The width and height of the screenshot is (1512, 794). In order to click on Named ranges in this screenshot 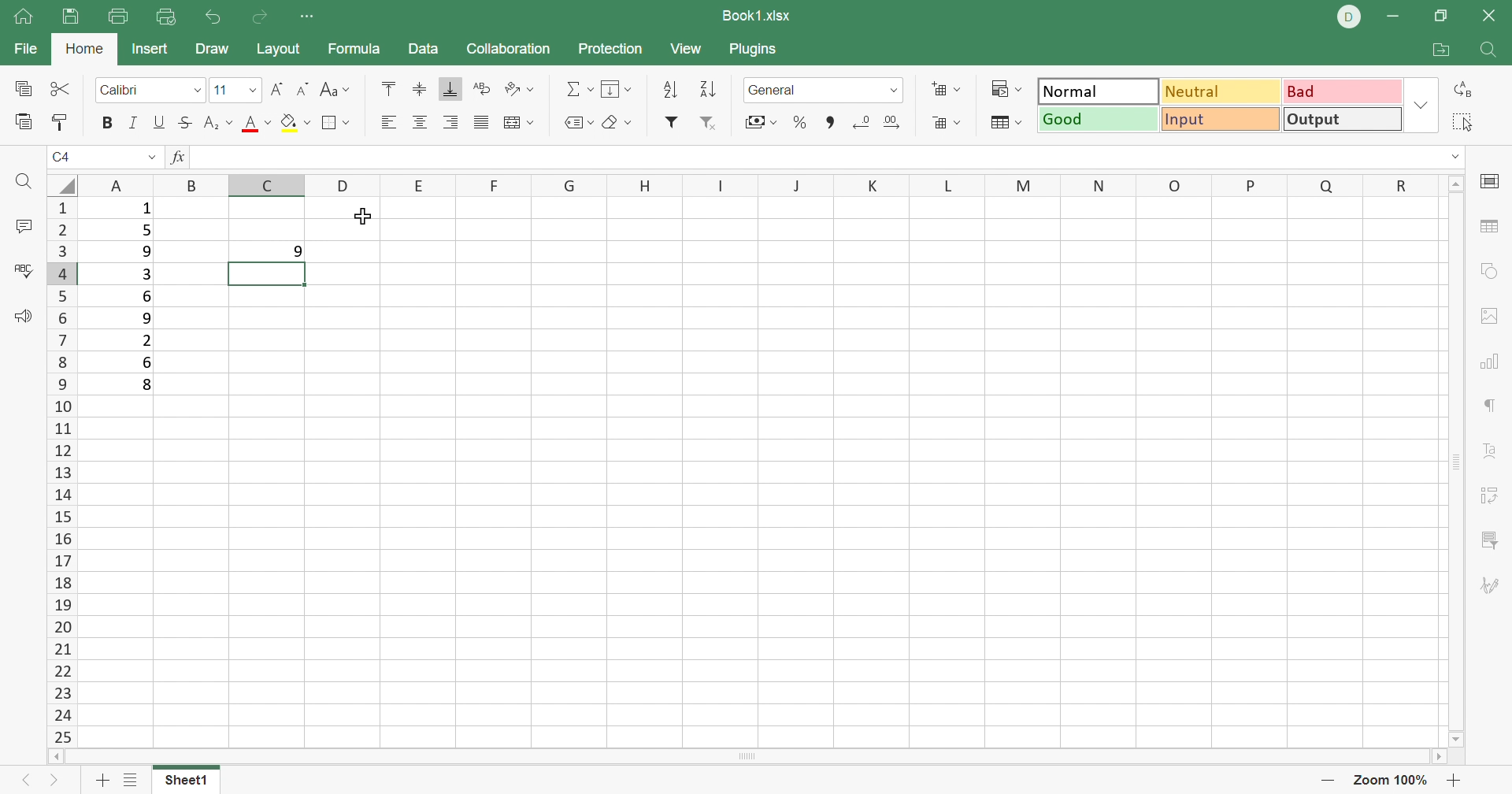, I will do `click(579, 124)`.